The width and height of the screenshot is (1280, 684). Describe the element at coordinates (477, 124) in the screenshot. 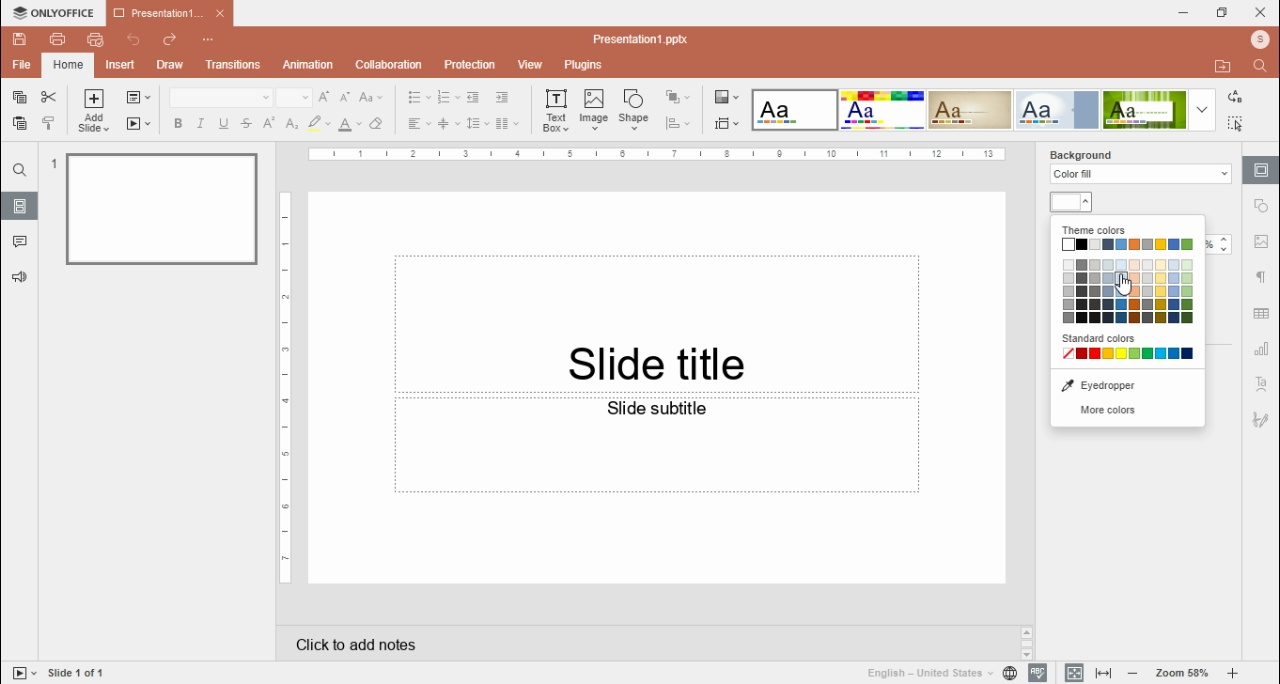

I see `line spacing` at that location.